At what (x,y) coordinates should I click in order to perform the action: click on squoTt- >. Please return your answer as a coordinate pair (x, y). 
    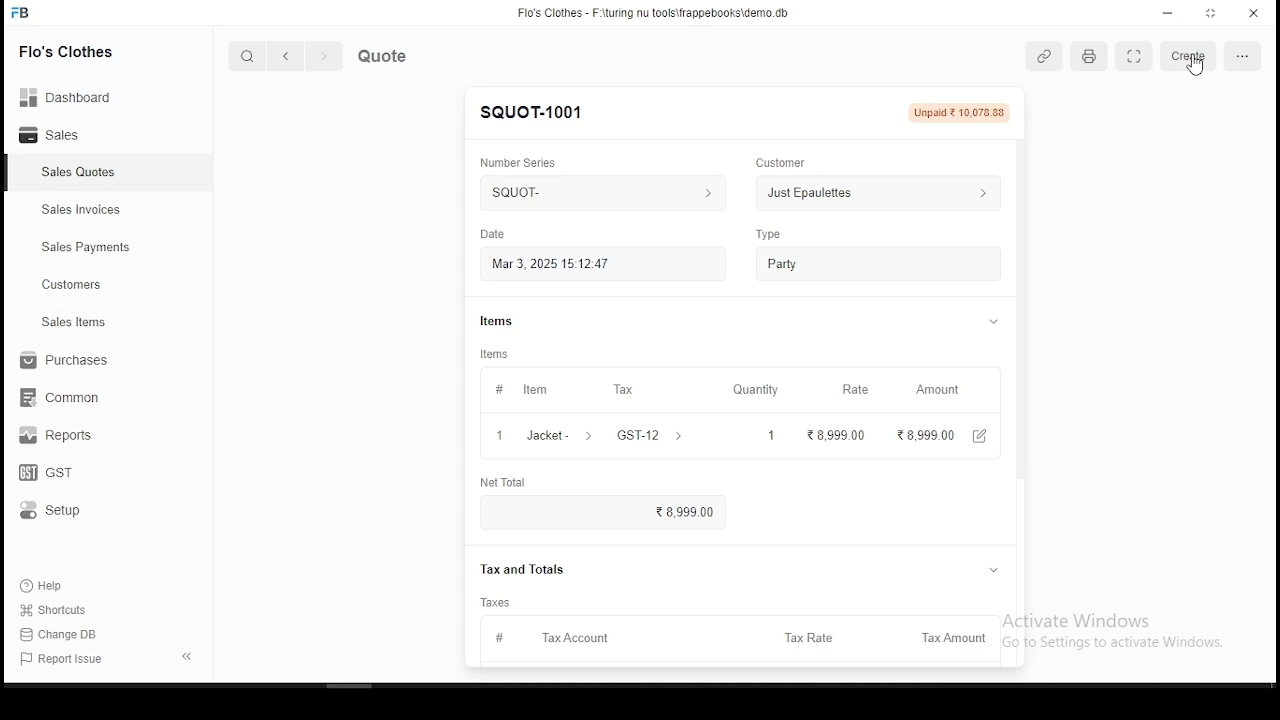
    Looking at the image, I should click on (599, 193).